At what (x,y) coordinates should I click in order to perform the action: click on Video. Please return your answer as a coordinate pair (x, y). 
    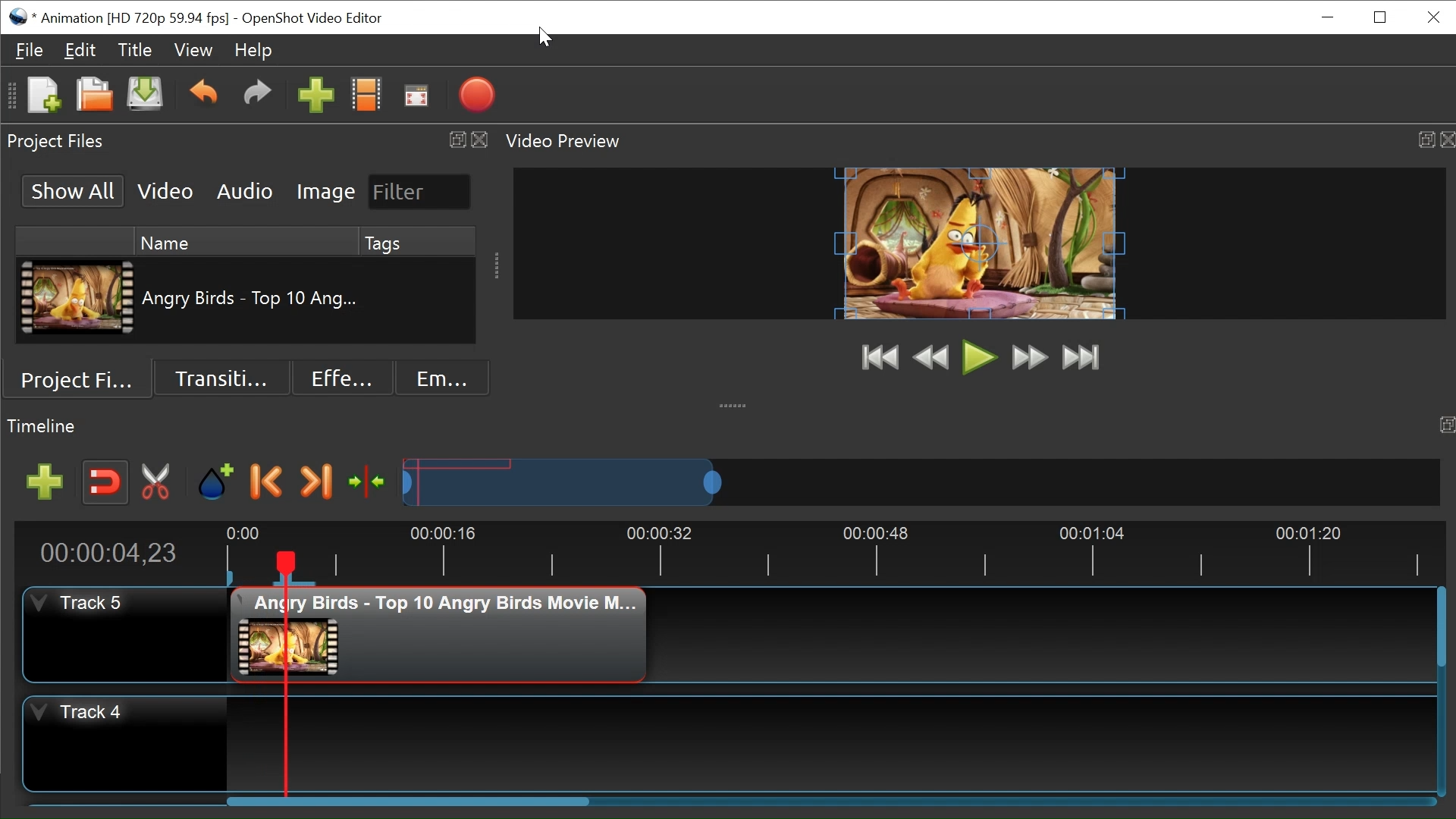
    Looking at the image, I should click on (165, 190).